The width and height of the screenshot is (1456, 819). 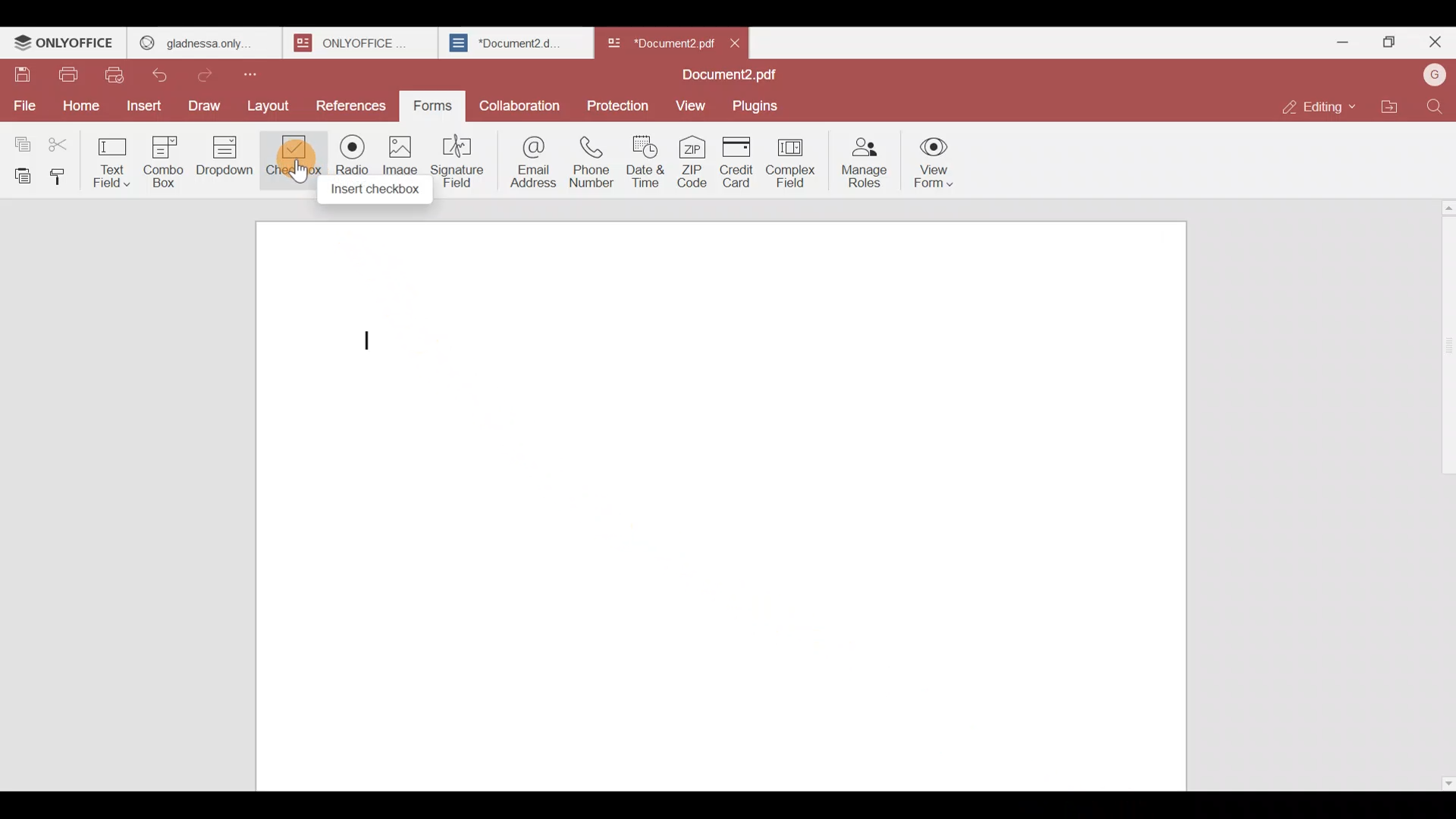 I want to click on Date & time, so click(x=649, y=162).